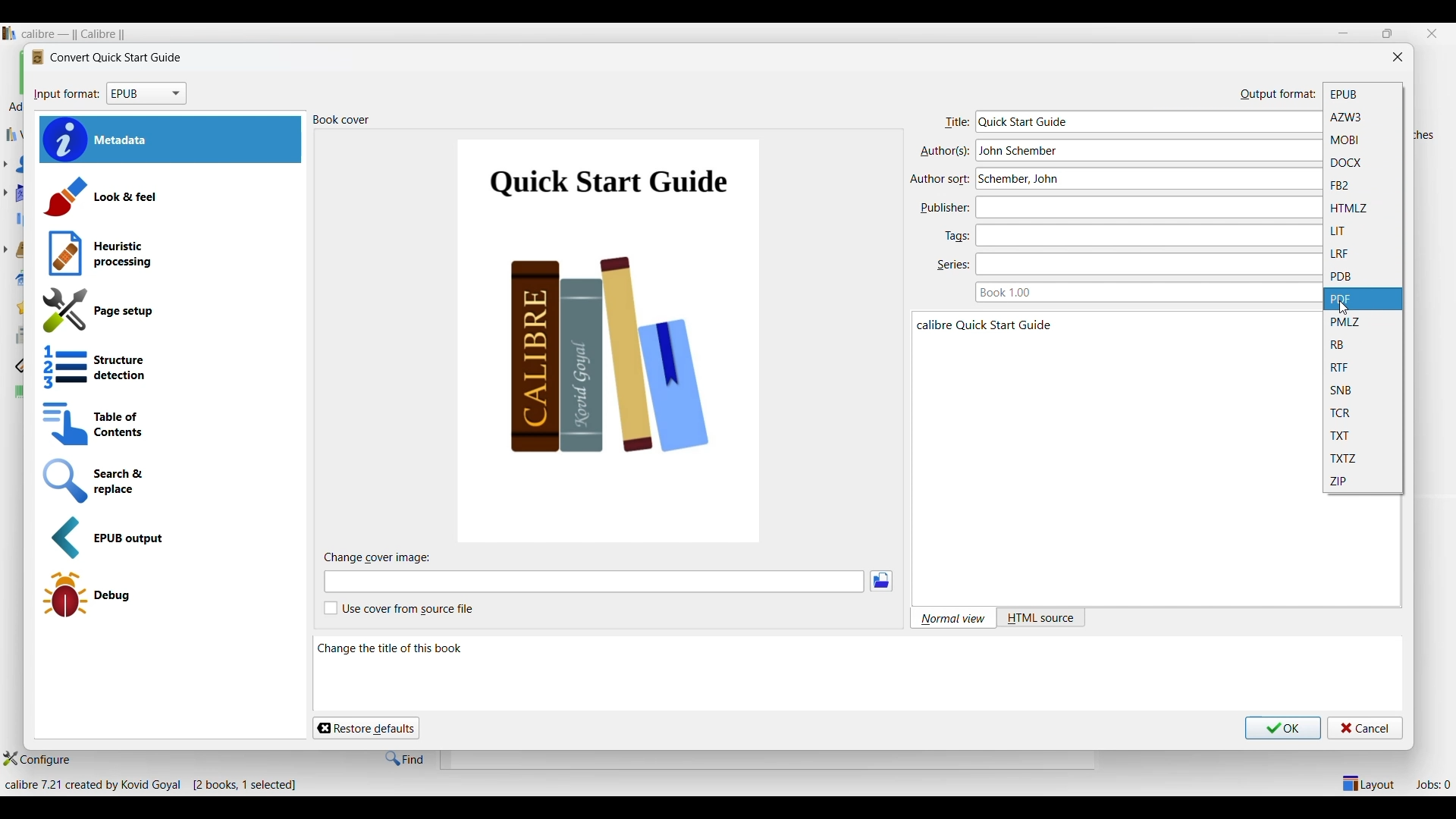 This screenshot has width=1456, height=819. What do you see at coordinates (1398, 57) in the screenshot?
I see `Close window` at bounding box center [1398, 57].